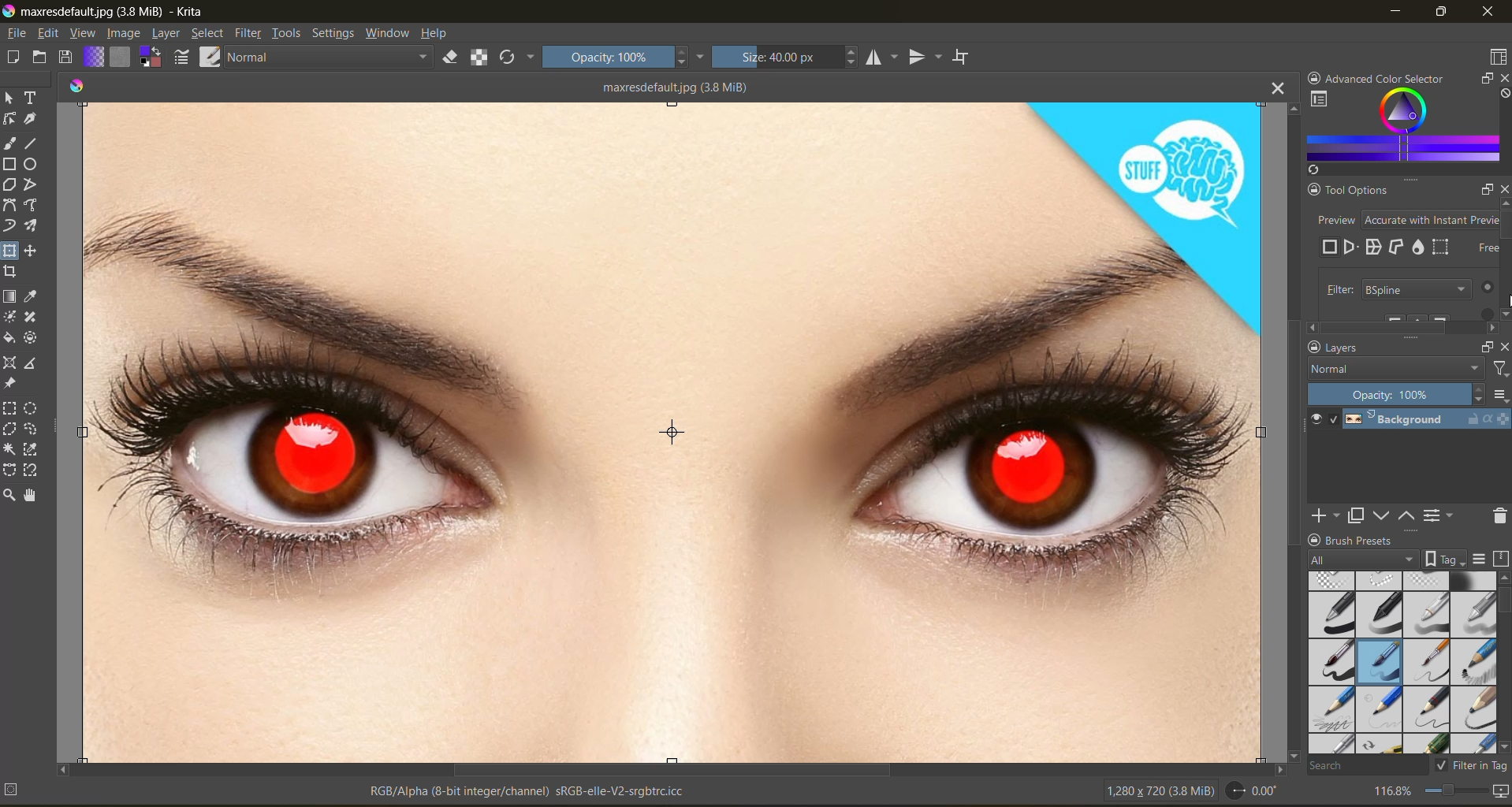 The height and width of the screenshot is (807, 1512). Describe the element at coordinates (1365, 767) in the screenshot. I see `search` at that location.